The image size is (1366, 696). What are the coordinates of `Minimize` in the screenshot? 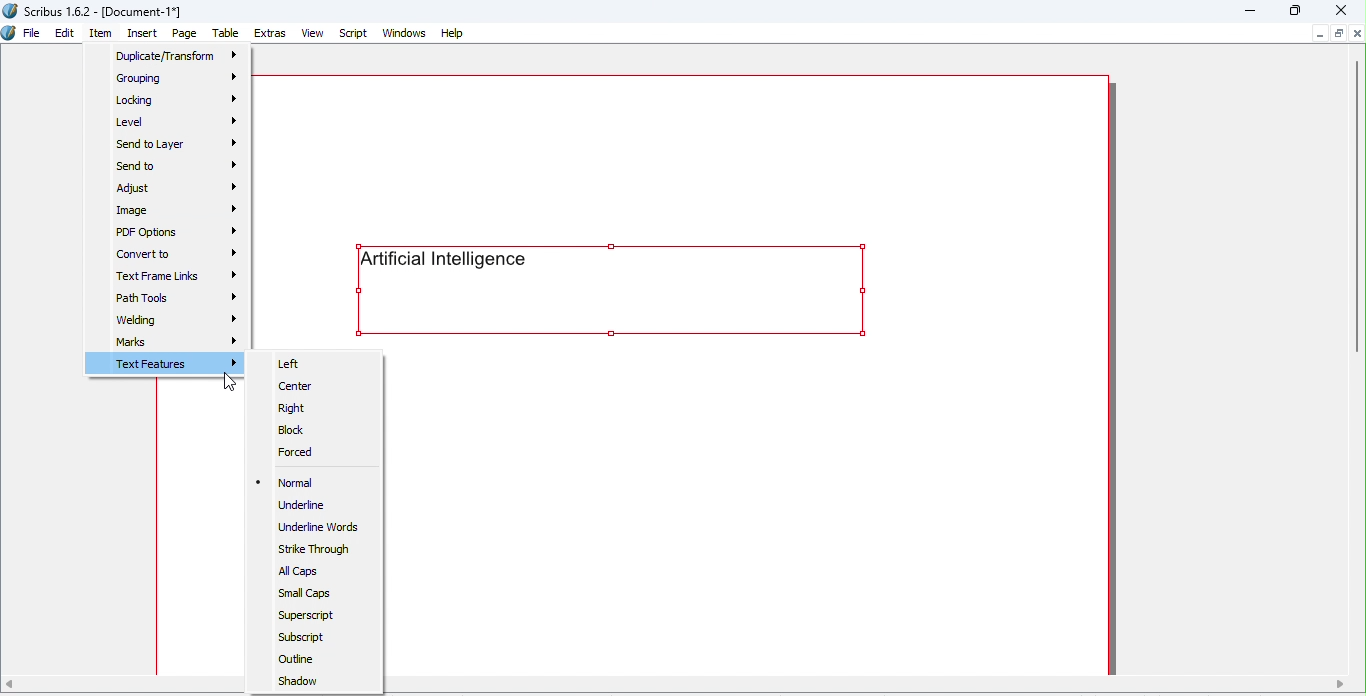 It's located at (1319, 35).